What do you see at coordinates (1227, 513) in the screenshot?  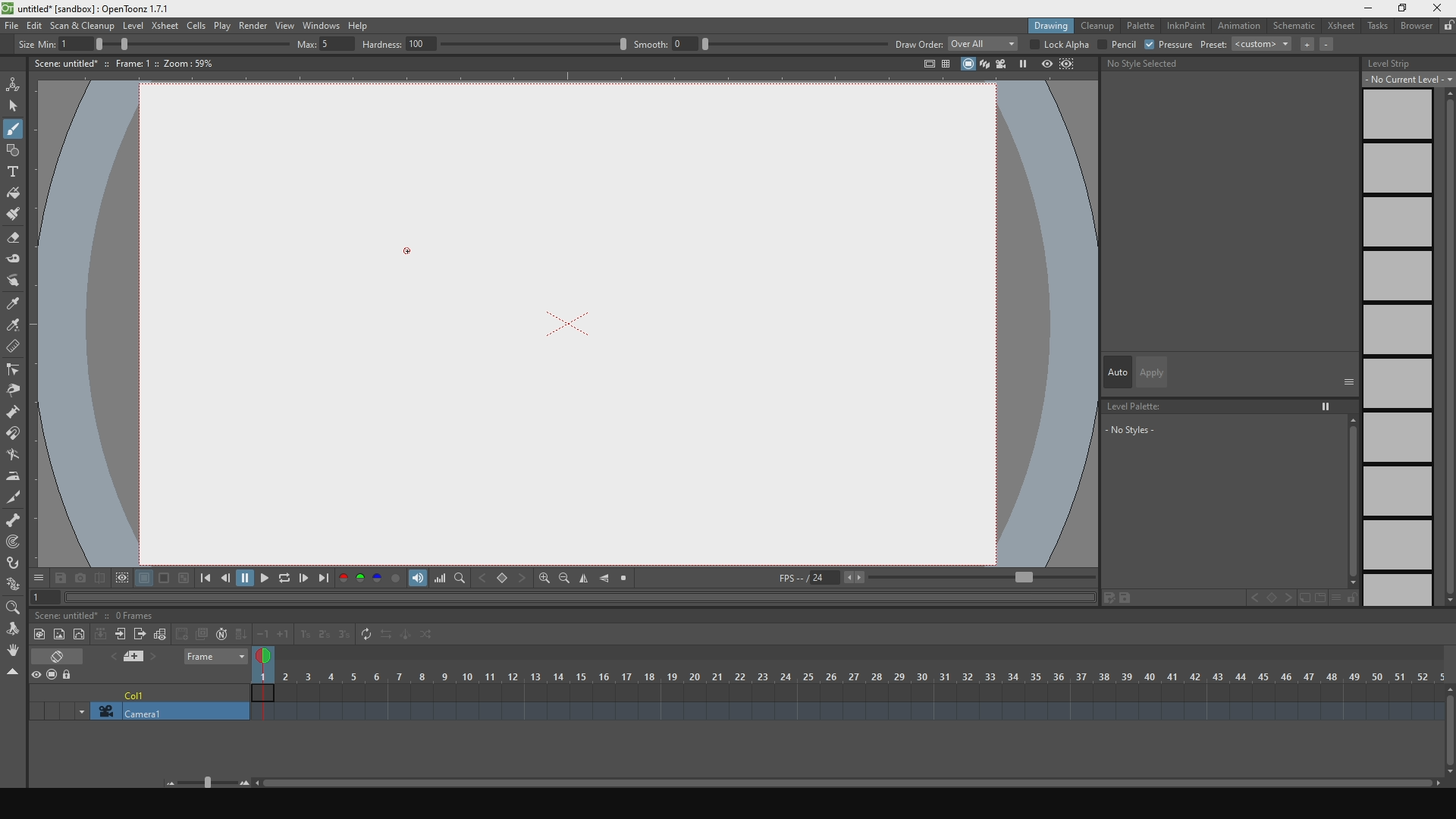 I see `no styles` at bounding box center [1227, 513].